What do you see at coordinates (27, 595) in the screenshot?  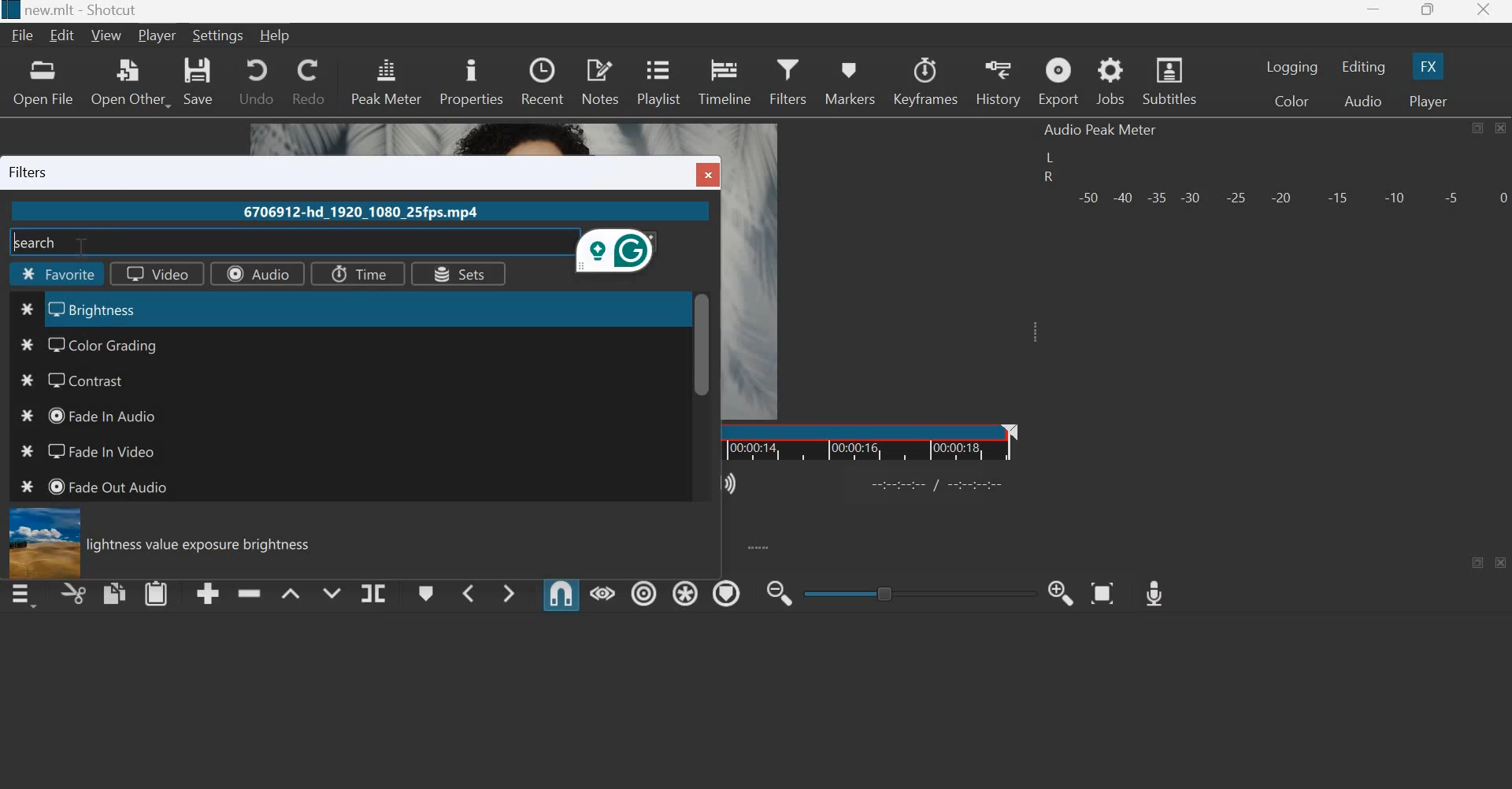 I see `timeline menu` at bounding box center [27, 595].